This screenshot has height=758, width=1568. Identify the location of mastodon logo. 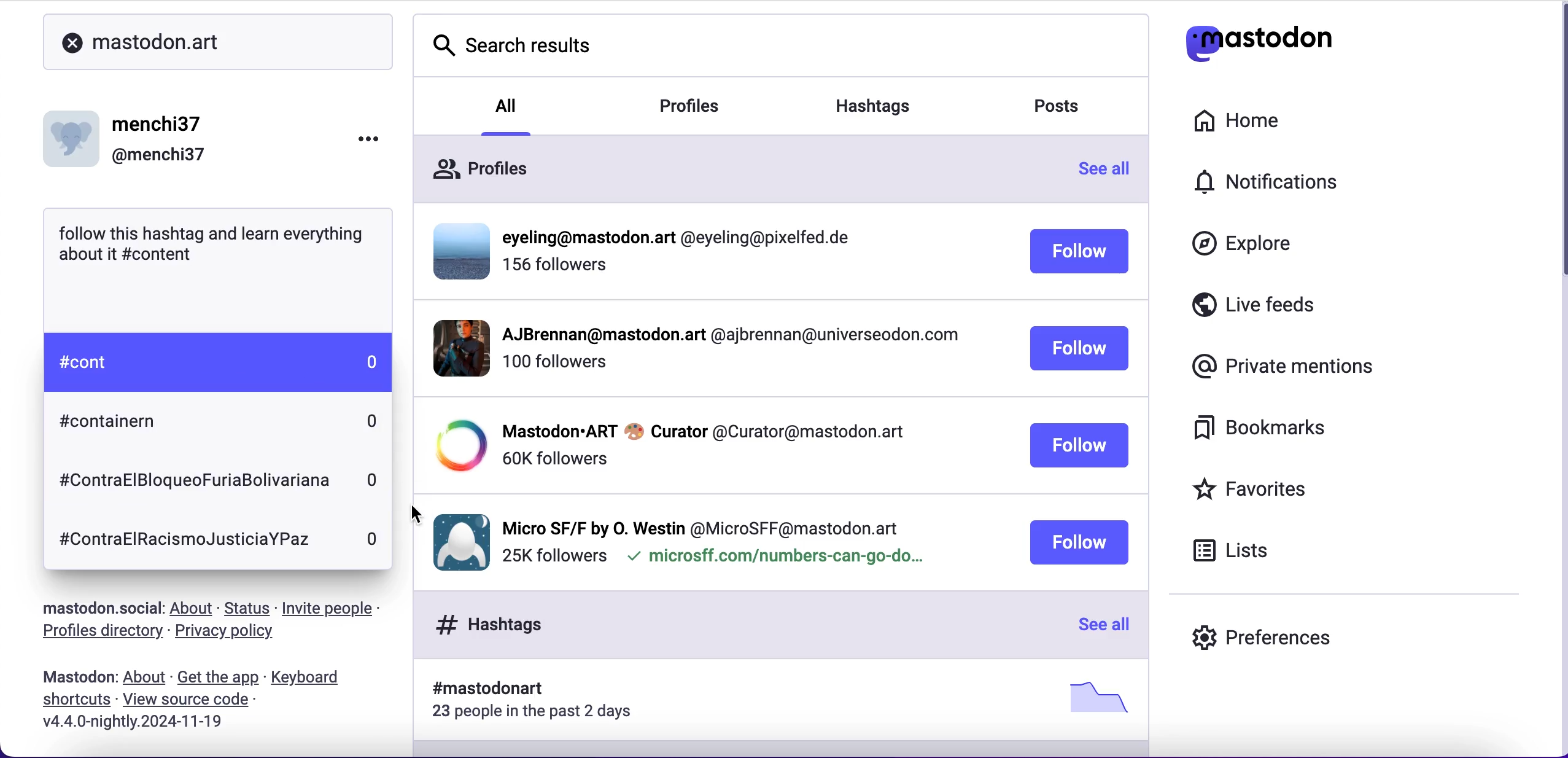
(1282, 44).